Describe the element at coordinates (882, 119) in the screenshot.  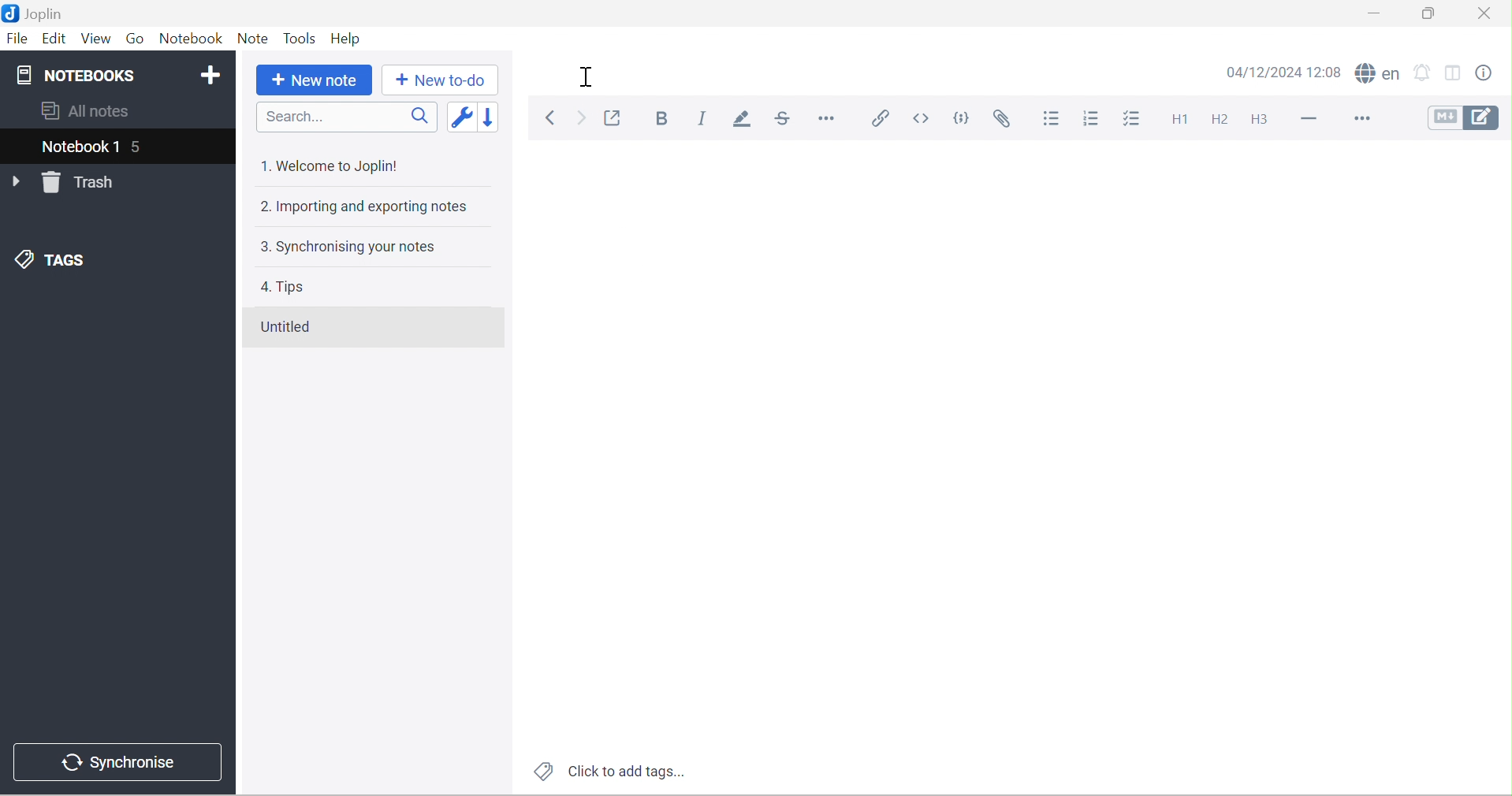
I see `Insert / edit code` at that location.